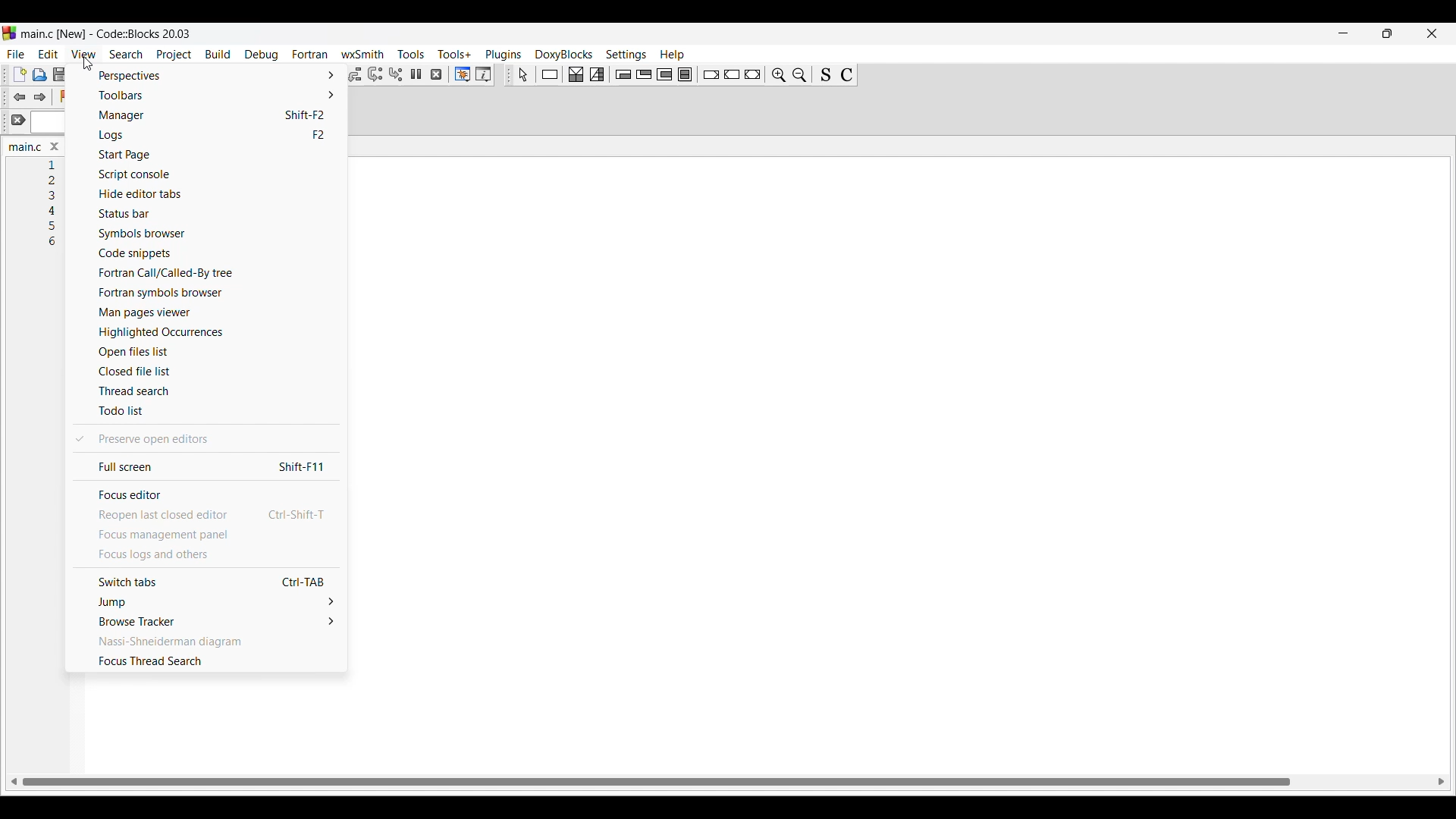 Image resolution: width=1456 pixels, height=819 pixels. Describe the element at coordinates (463, 74) in the screenshot. I see `Debugging windows` at that location.